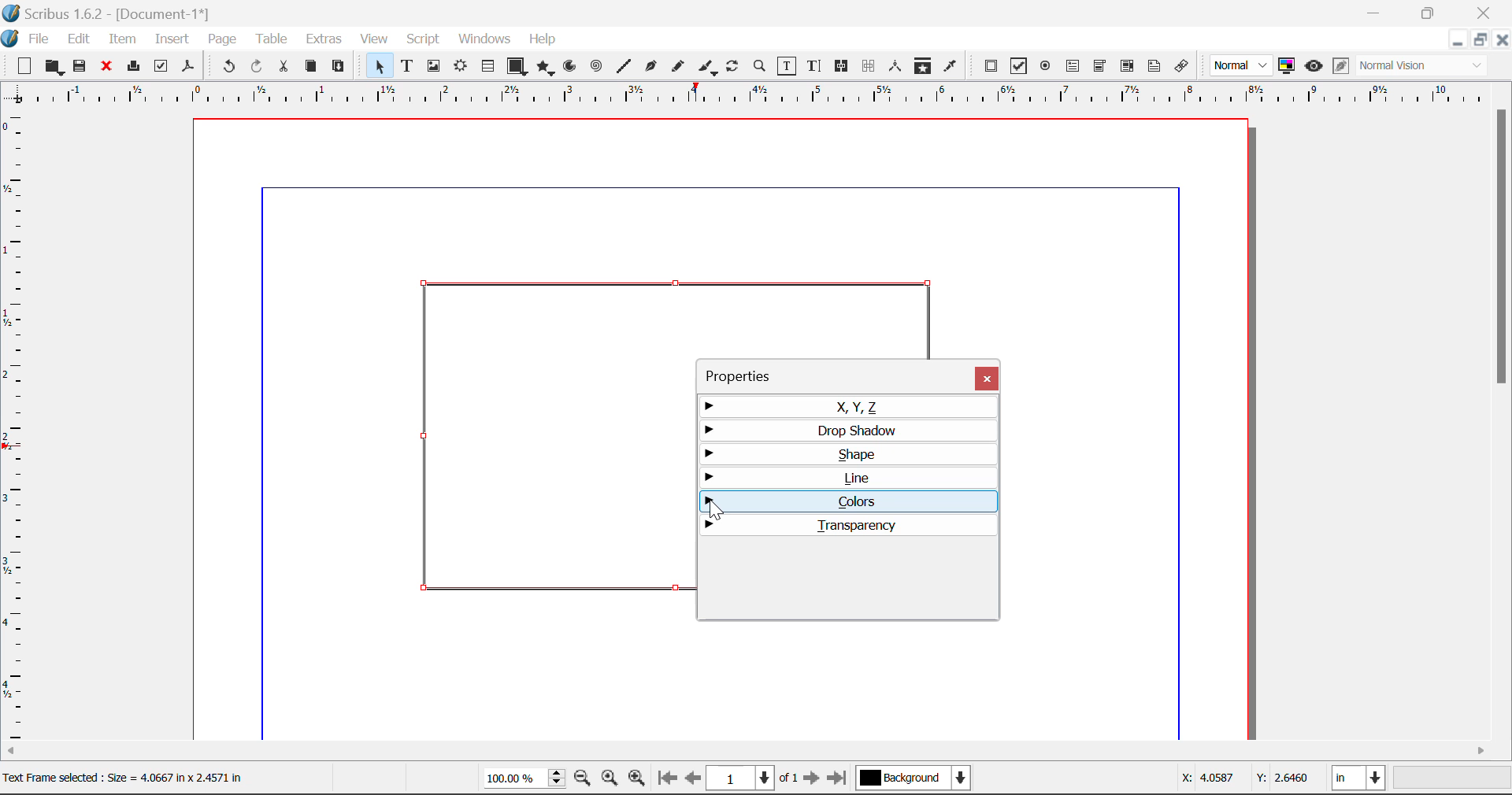  What do you see at coordinates (54, 67) in the screenshot?
I see `Open` at bounding box center [54, 67].